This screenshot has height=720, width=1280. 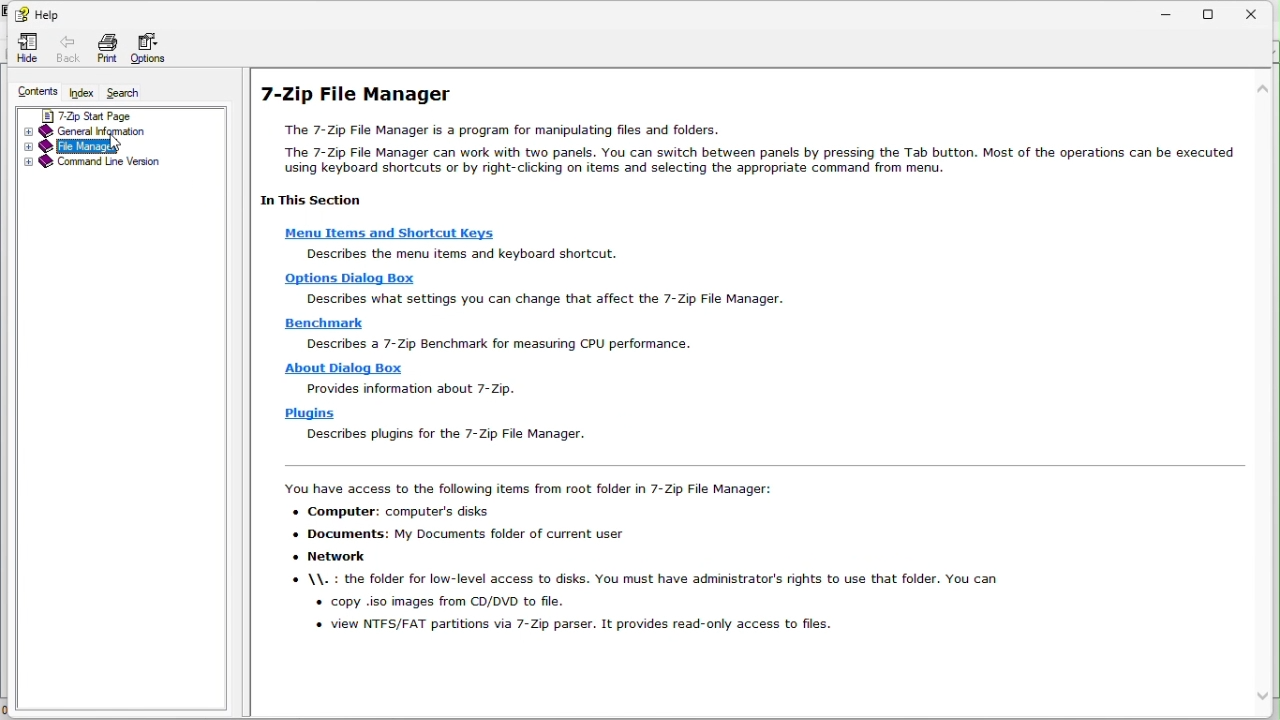 I want to click on Benchmark, so click(x=323, y=325).